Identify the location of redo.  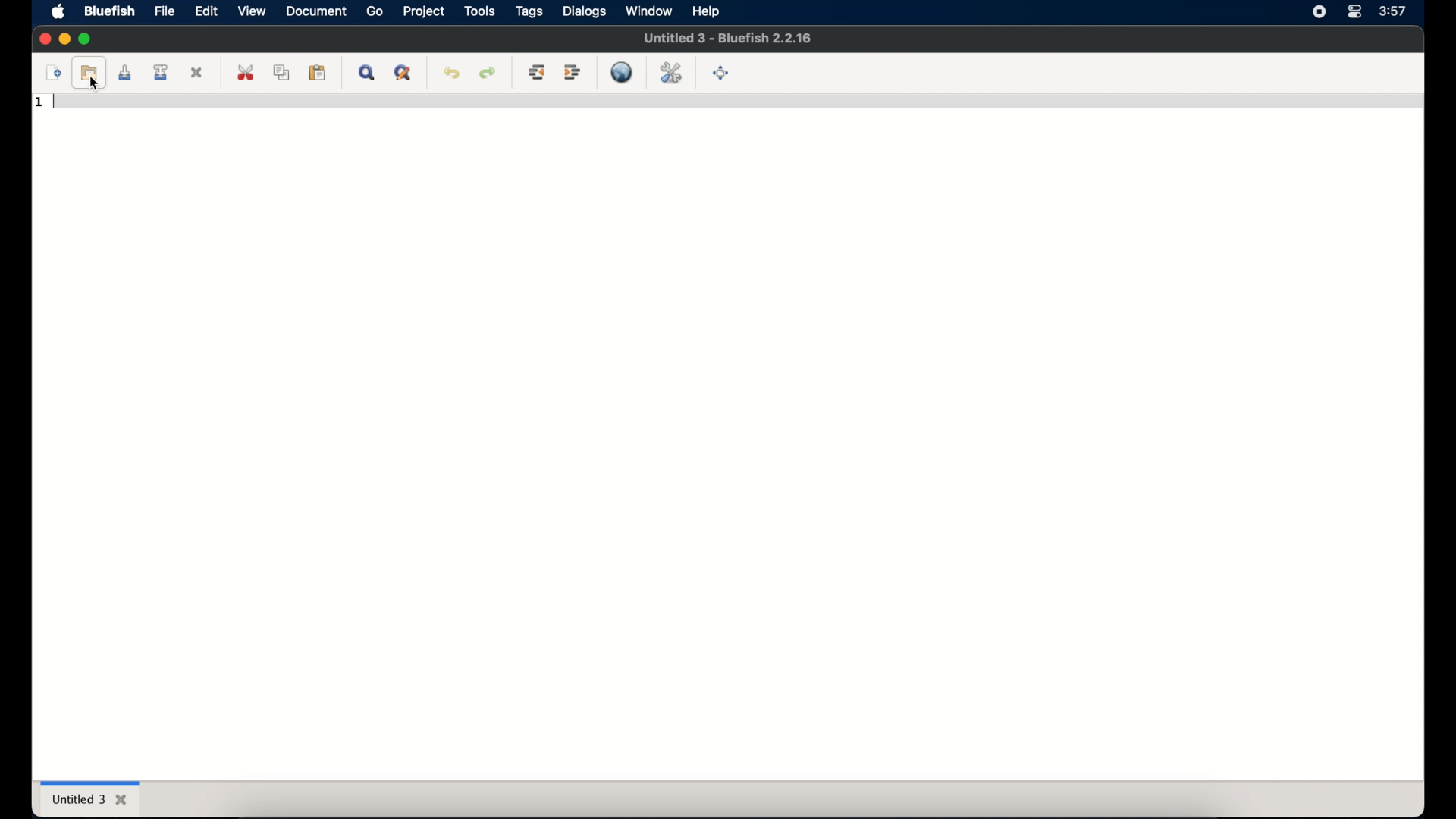
(487, 74).